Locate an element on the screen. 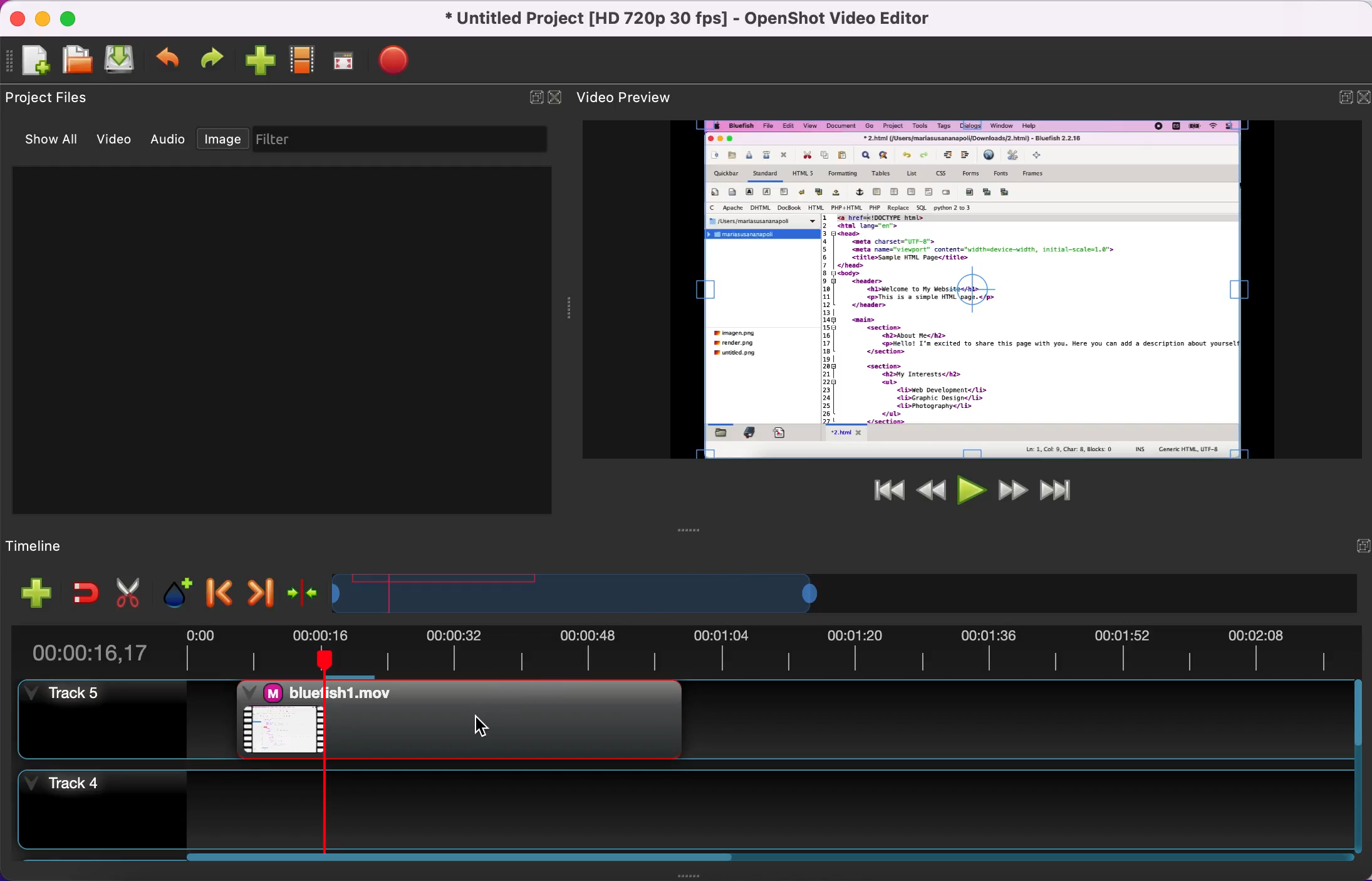  video preview is located at coordinates (975, 289).